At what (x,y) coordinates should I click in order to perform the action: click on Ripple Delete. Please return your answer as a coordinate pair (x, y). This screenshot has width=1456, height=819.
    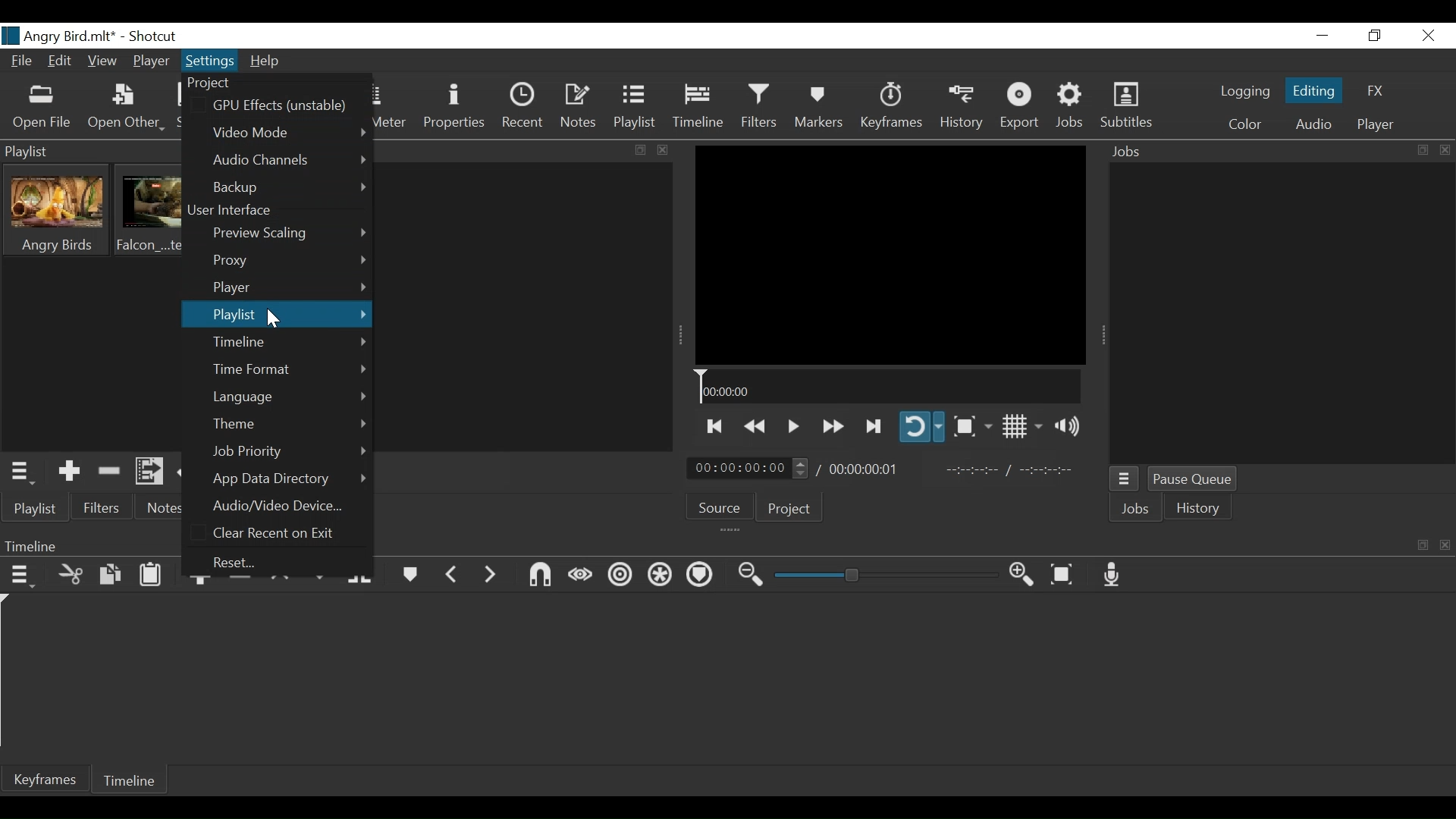
    Looking at the image, I should click on (239, 583).